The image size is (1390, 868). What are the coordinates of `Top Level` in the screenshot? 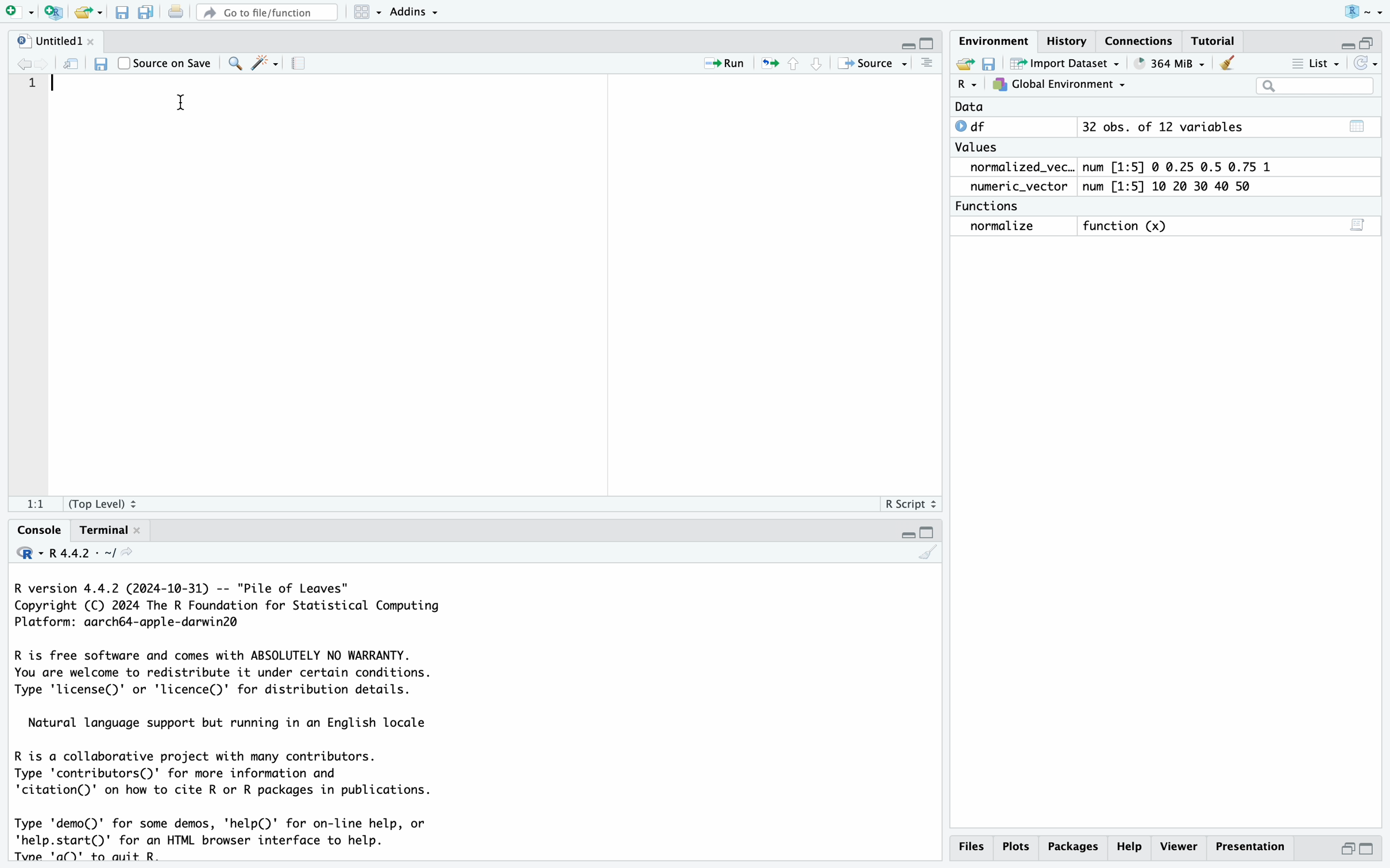 It's located at (109, 503).